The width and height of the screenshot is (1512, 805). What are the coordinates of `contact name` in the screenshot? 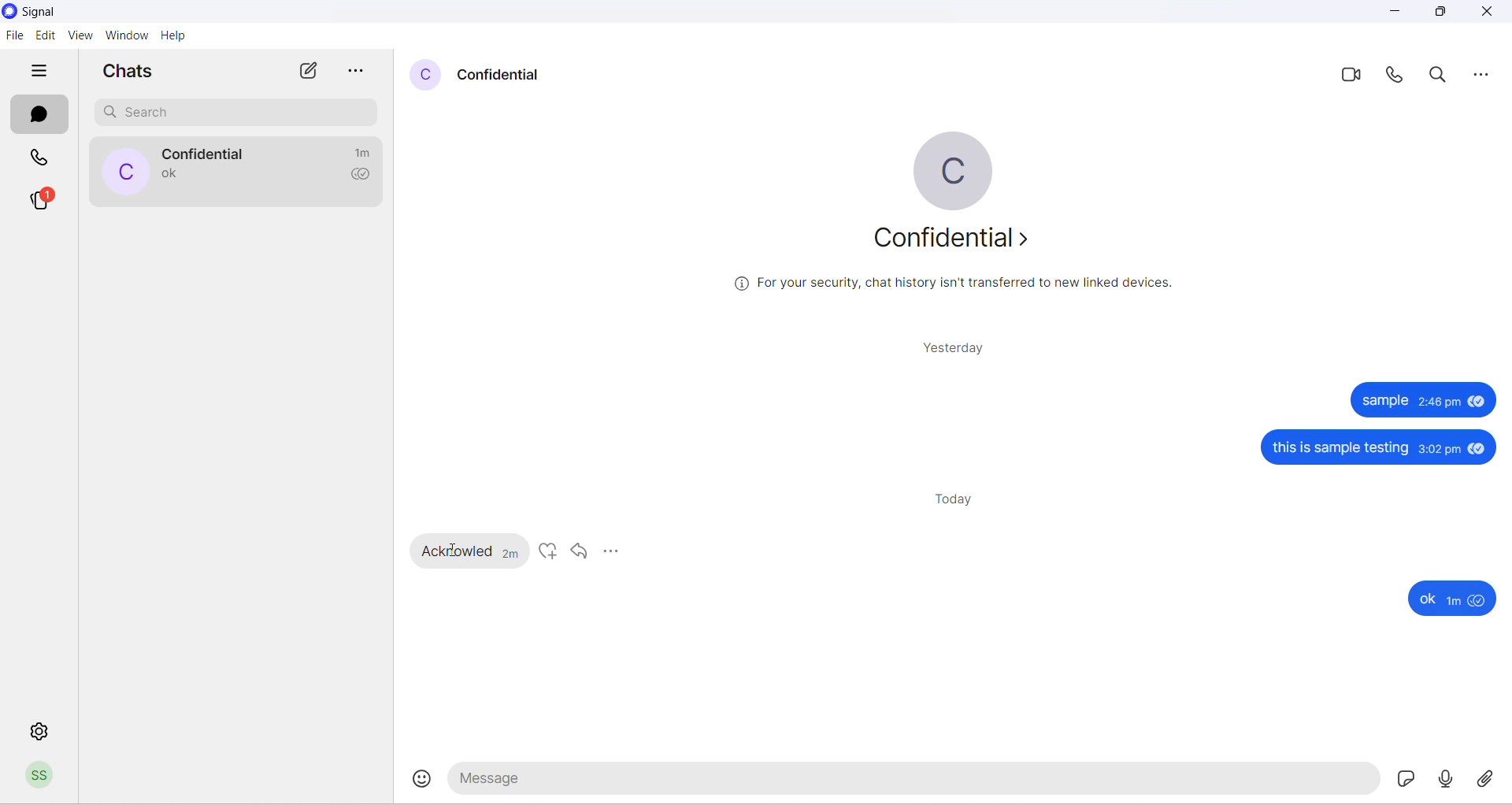 It's located at (500, 74).